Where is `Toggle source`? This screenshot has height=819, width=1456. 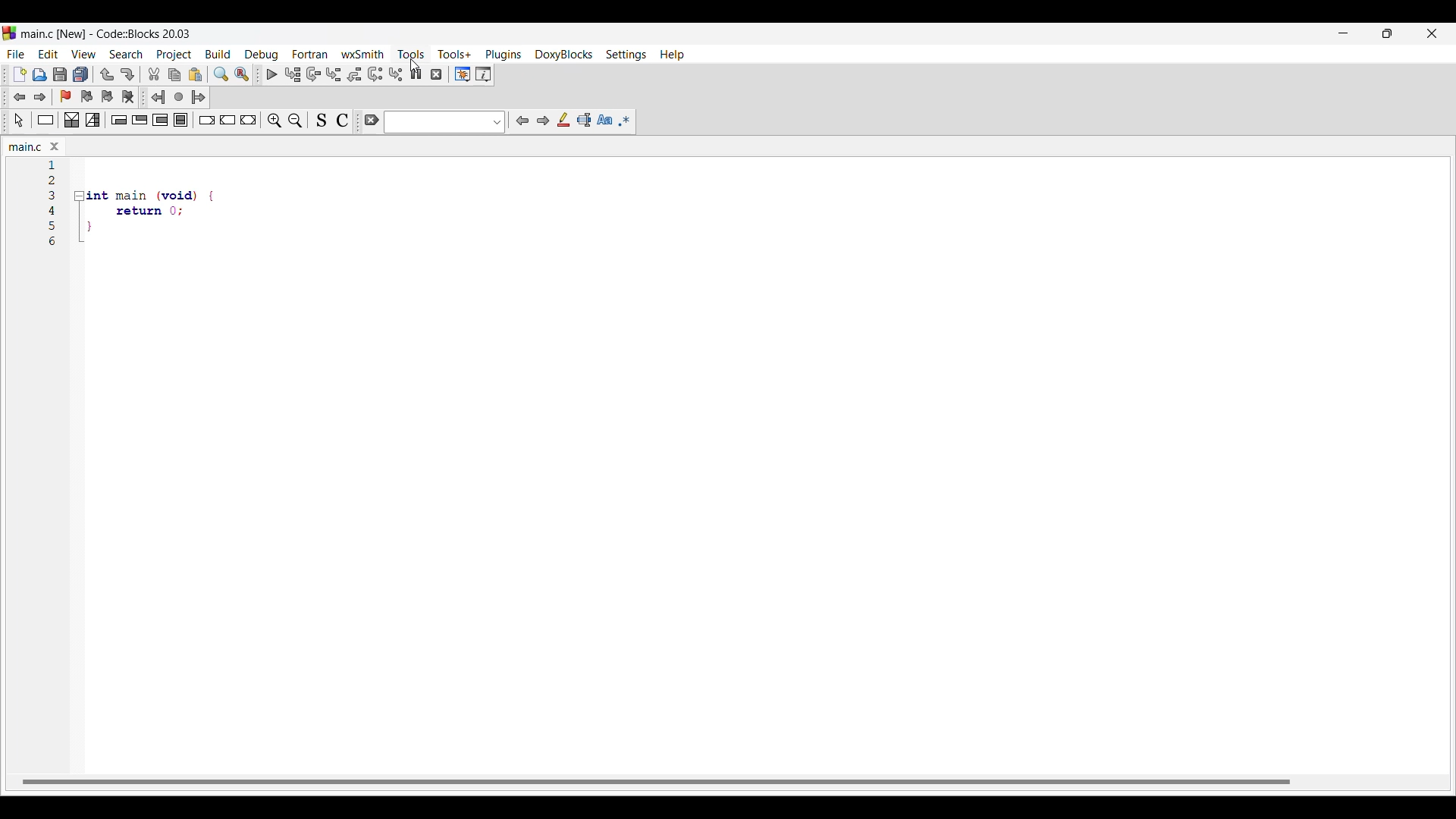
Toggle source is located at coordinates (322, 121).